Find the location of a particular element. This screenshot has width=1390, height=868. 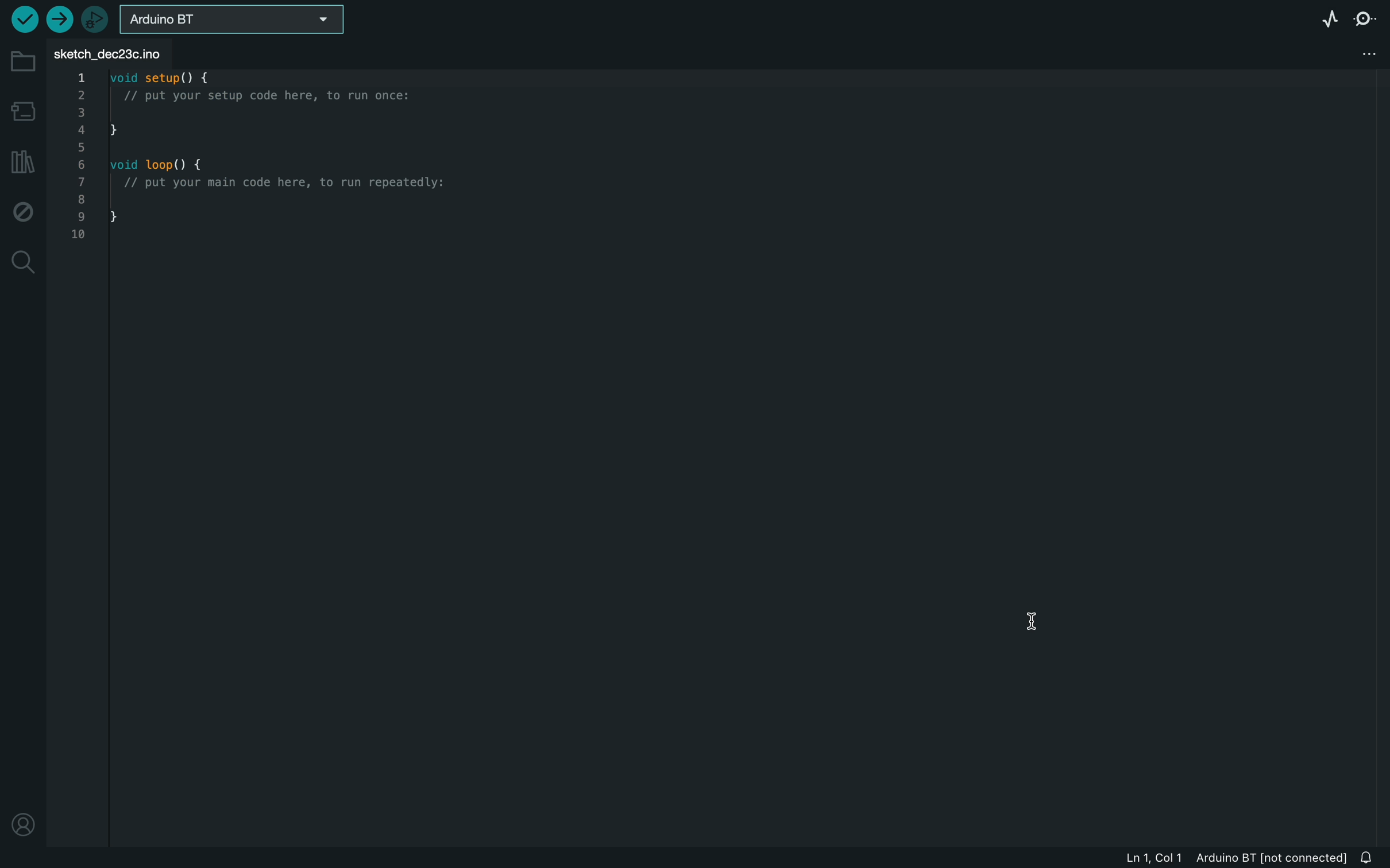

Notifications  is located at coordinates (1370, 854).